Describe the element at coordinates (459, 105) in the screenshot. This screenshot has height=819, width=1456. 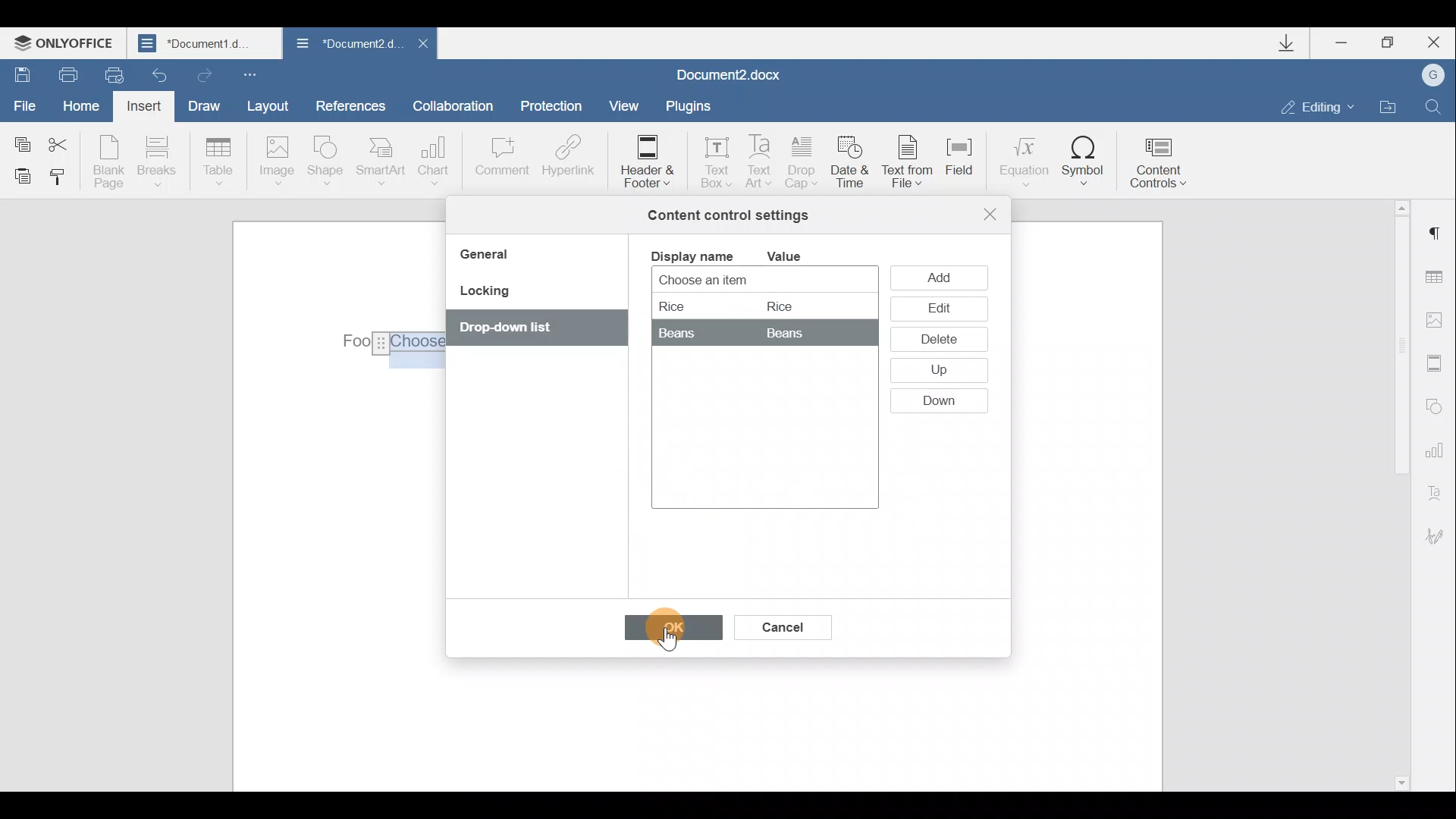
I see `Collaboration` at that location.